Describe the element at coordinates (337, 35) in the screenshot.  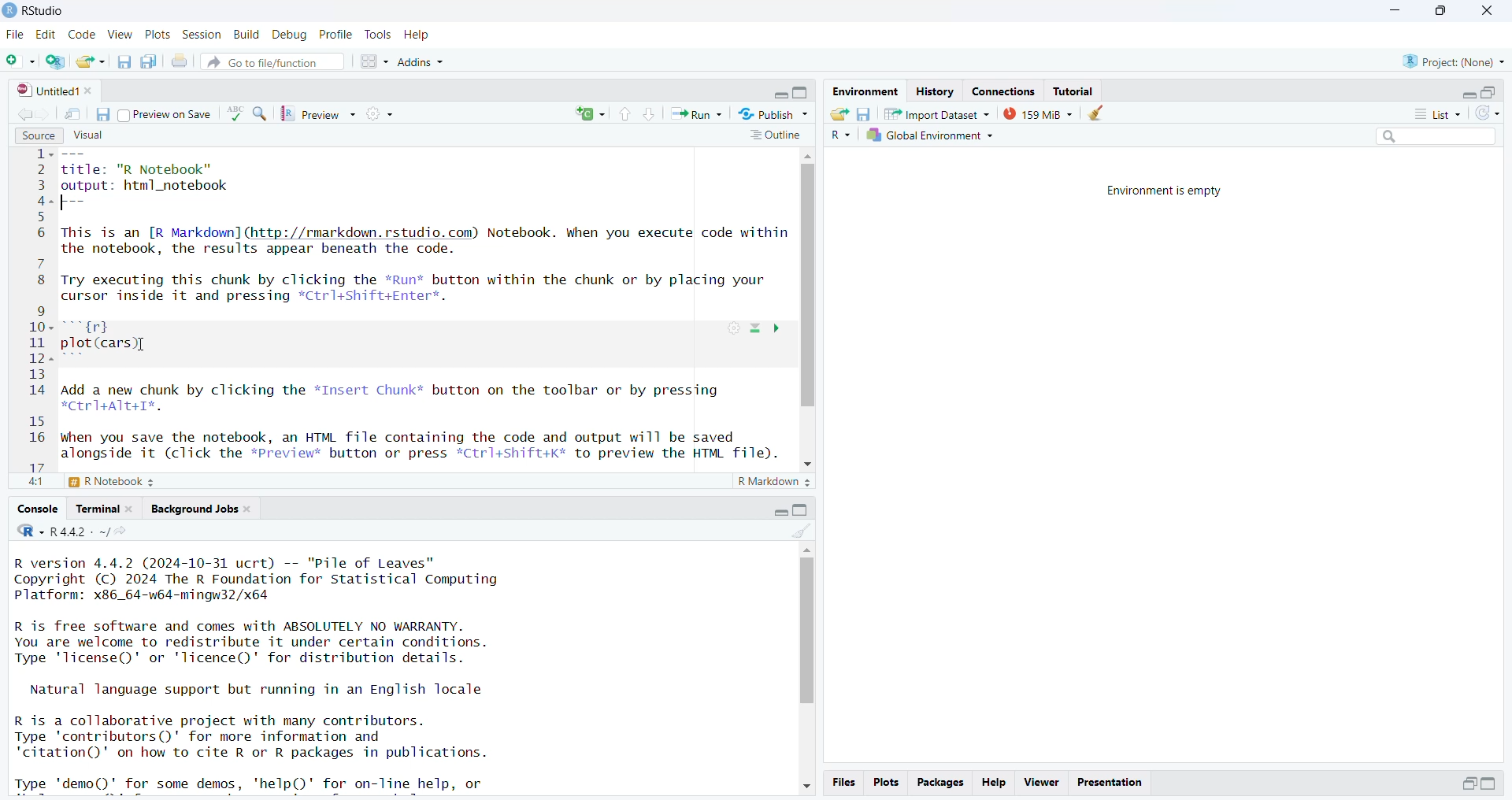
I see `profile` at that location.